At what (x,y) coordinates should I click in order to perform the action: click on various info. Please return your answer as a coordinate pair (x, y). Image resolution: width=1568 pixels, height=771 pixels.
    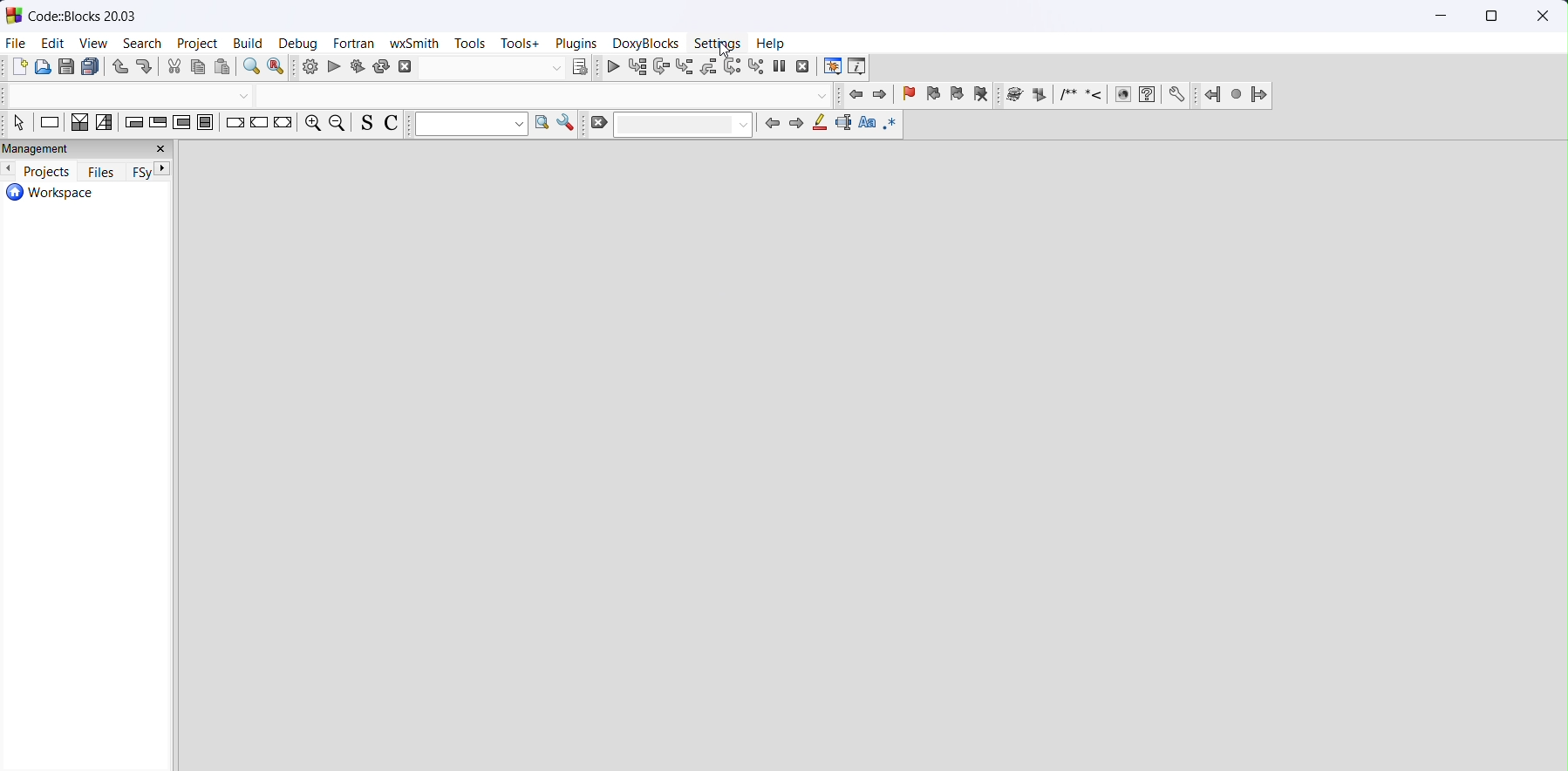
    Looking at the image, I should click on (861, 68).